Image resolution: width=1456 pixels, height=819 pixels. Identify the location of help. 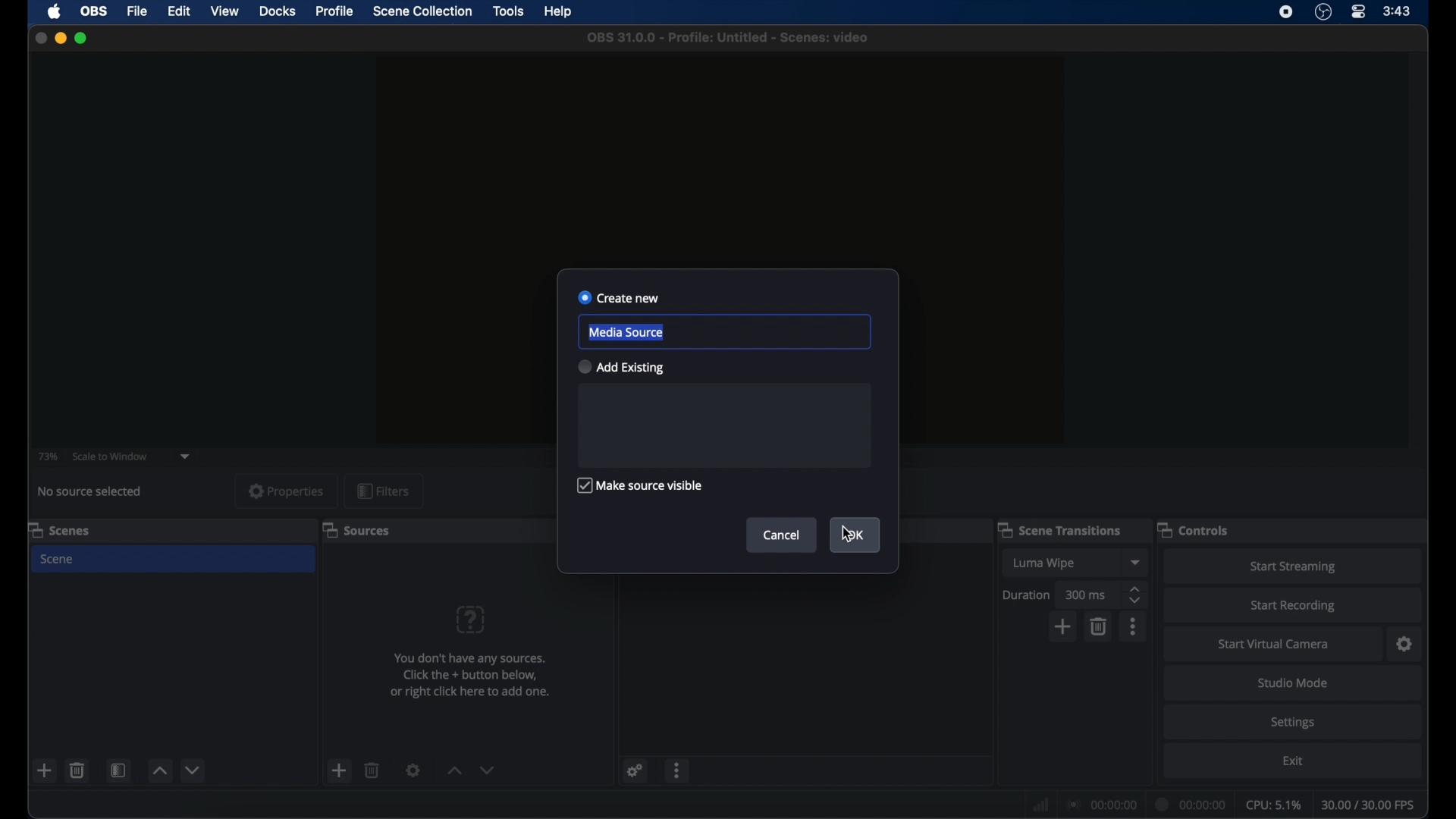
(560, 12).